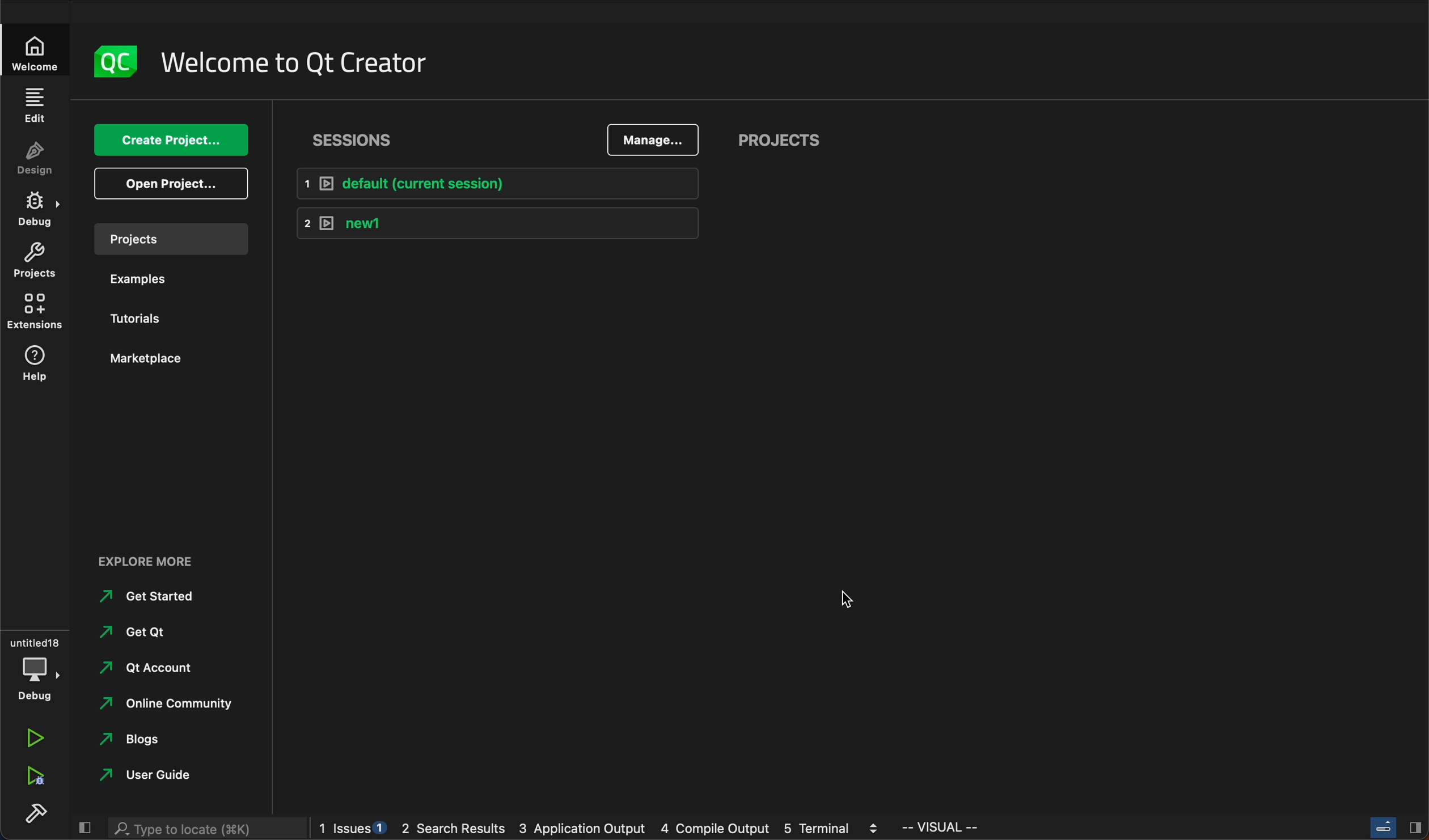 This screenshot has width=1429, height=840. I want to click on new1, so click(502, 223).